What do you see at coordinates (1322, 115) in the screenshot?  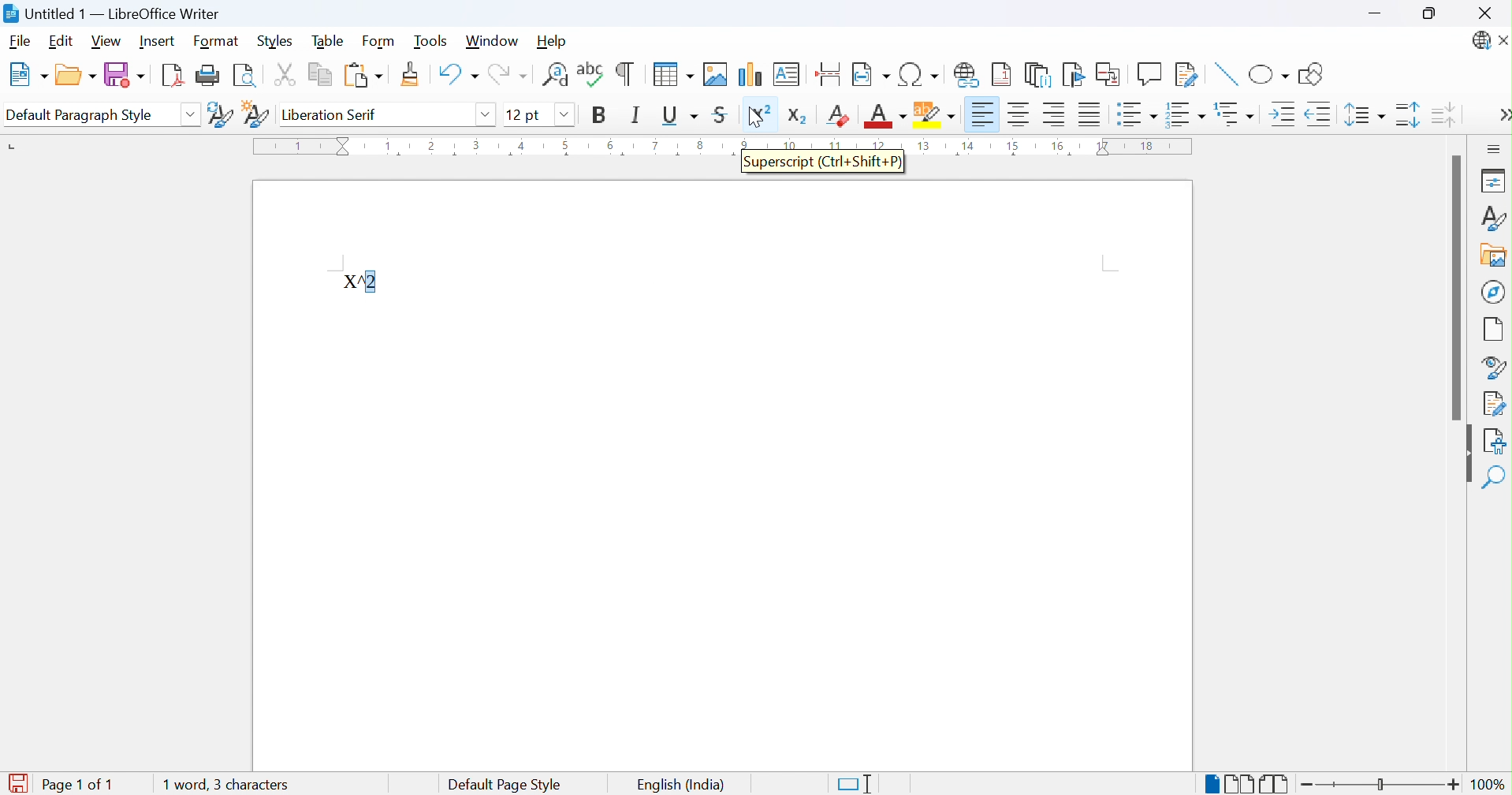 I see `Decrease indent` at bounding box center [1322, 115].